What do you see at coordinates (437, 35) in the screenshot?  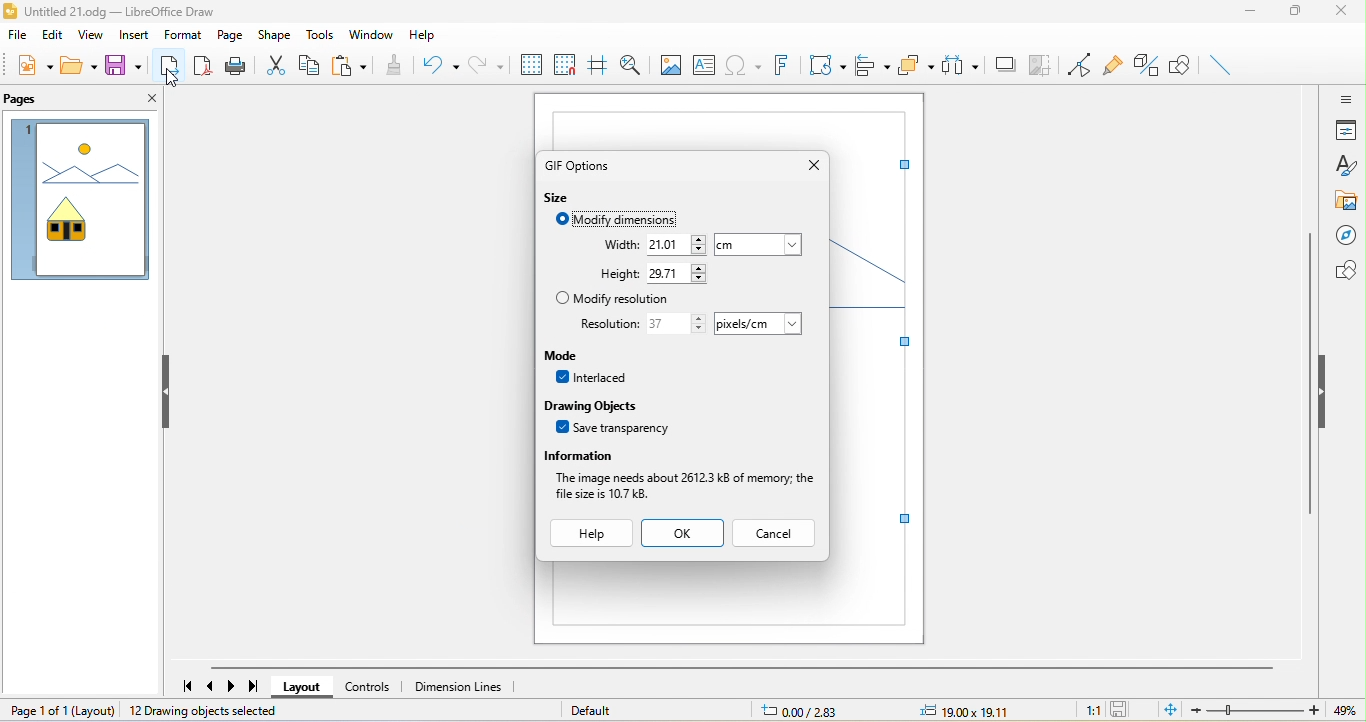 I see `help` at bounding box center [437, 35].